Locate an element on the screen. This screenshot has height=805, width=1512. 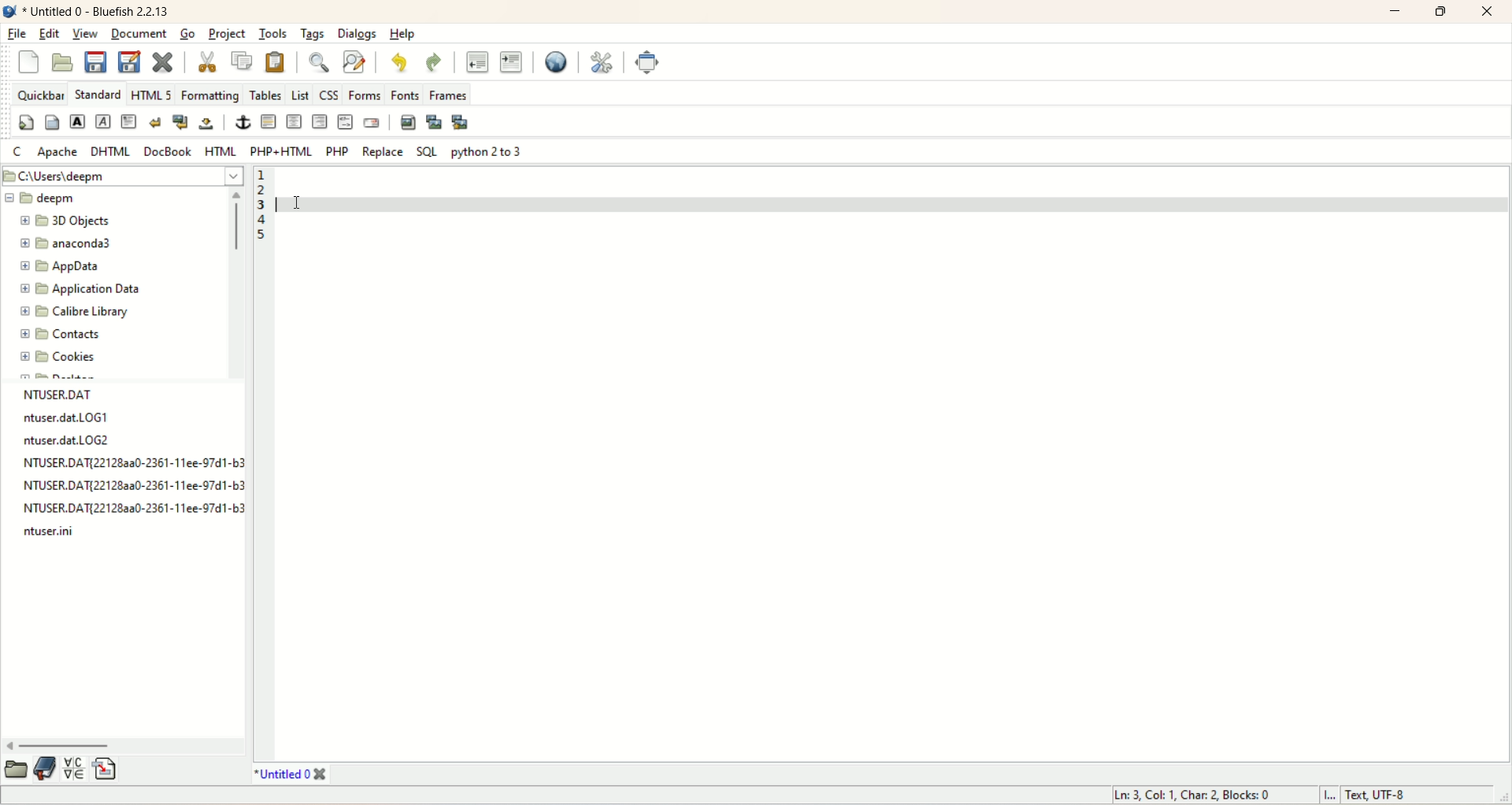
dialogs is located at coordinates (355, 33).